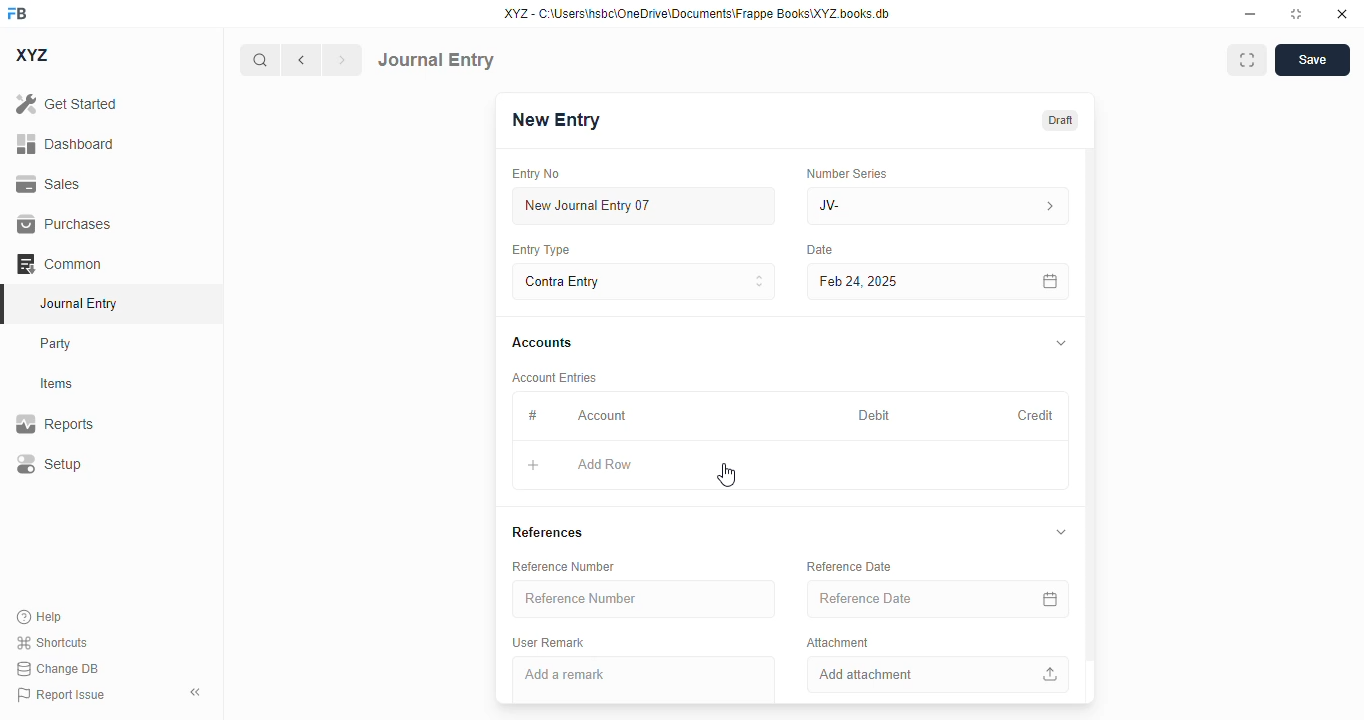  I want to click on number series, so click(849, 173).